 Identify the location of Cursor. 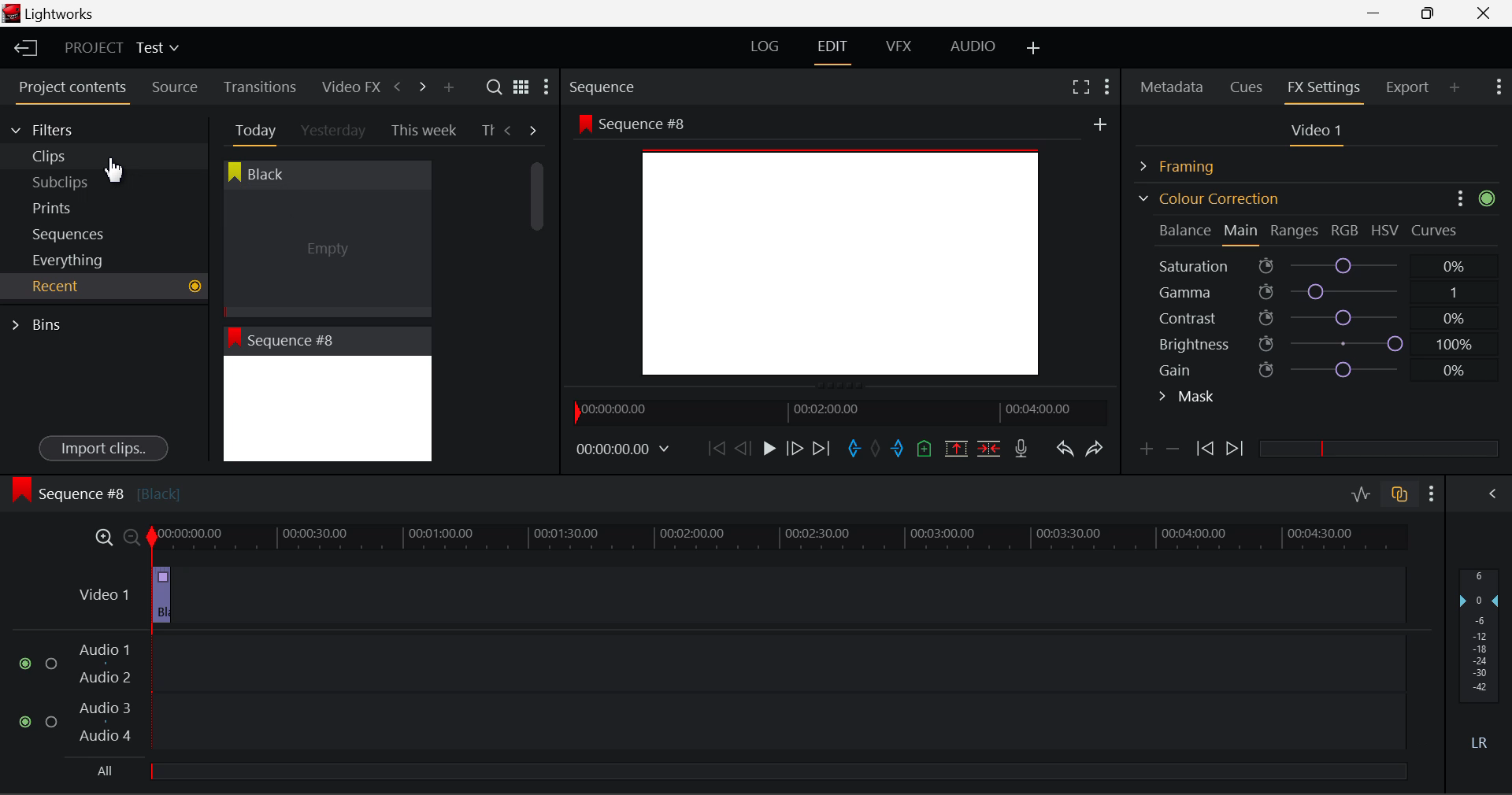
(113, 169).